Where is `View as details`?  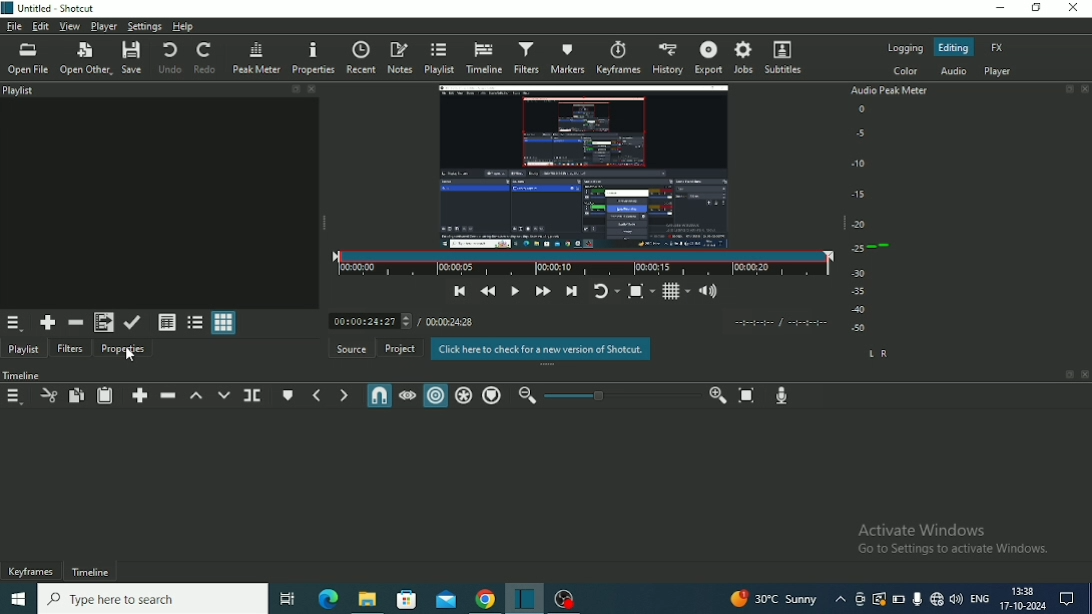
View as details is located at coordinates (166, 323).